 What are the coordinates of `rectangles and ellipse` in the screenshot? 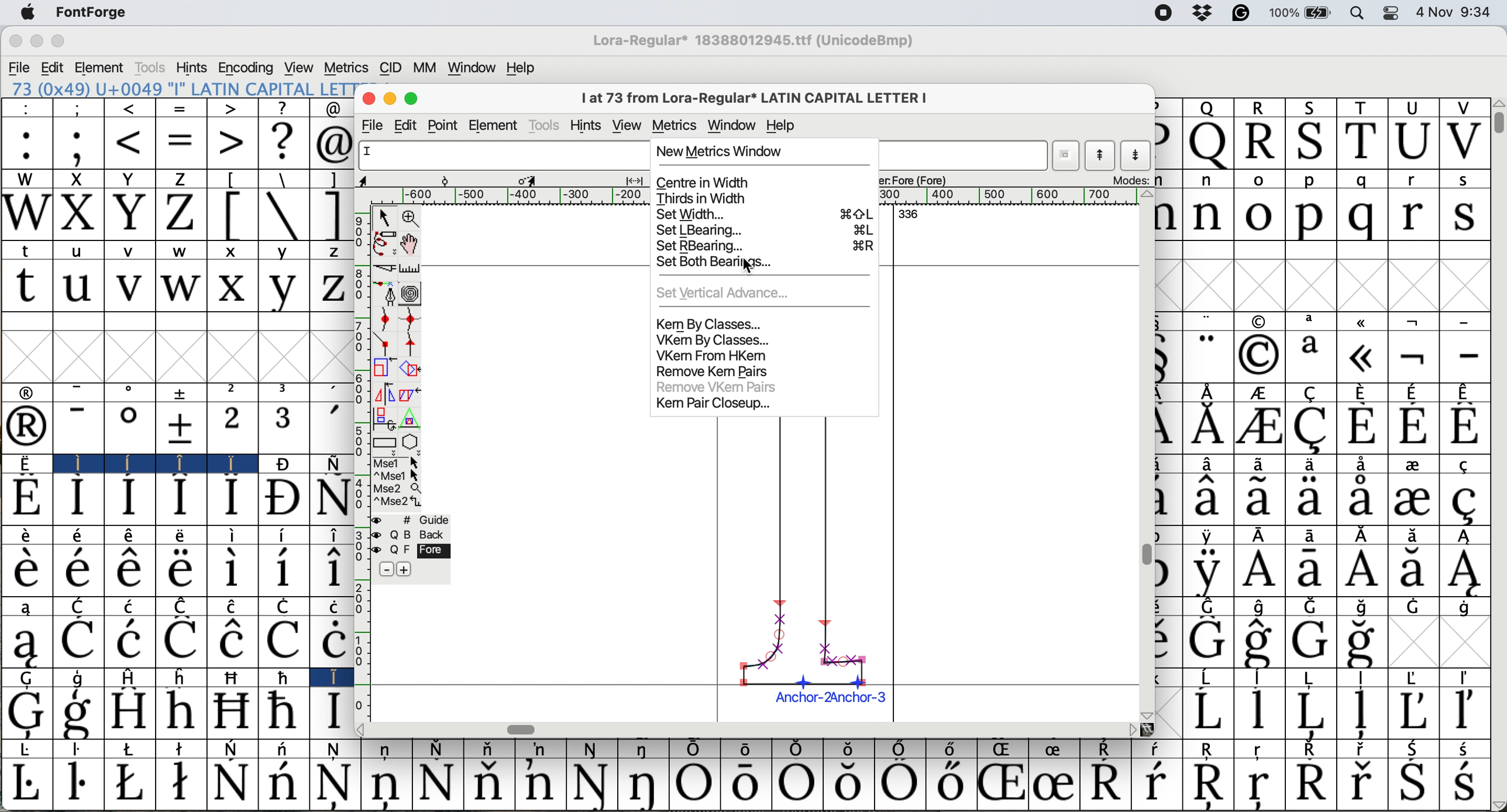 It's located at (385, 441).